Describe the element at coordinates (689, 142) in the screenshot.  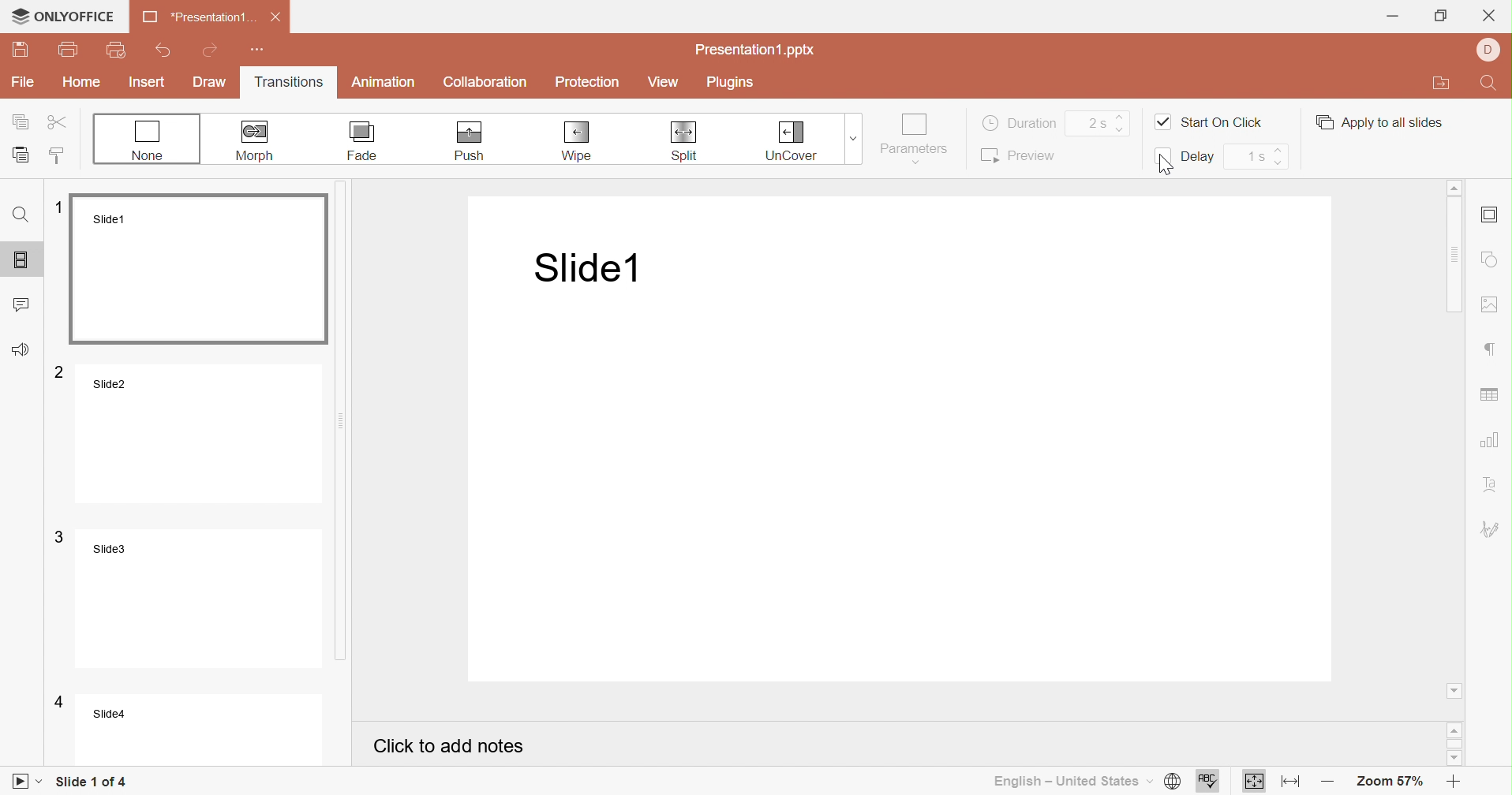
I see `Split` at that location.